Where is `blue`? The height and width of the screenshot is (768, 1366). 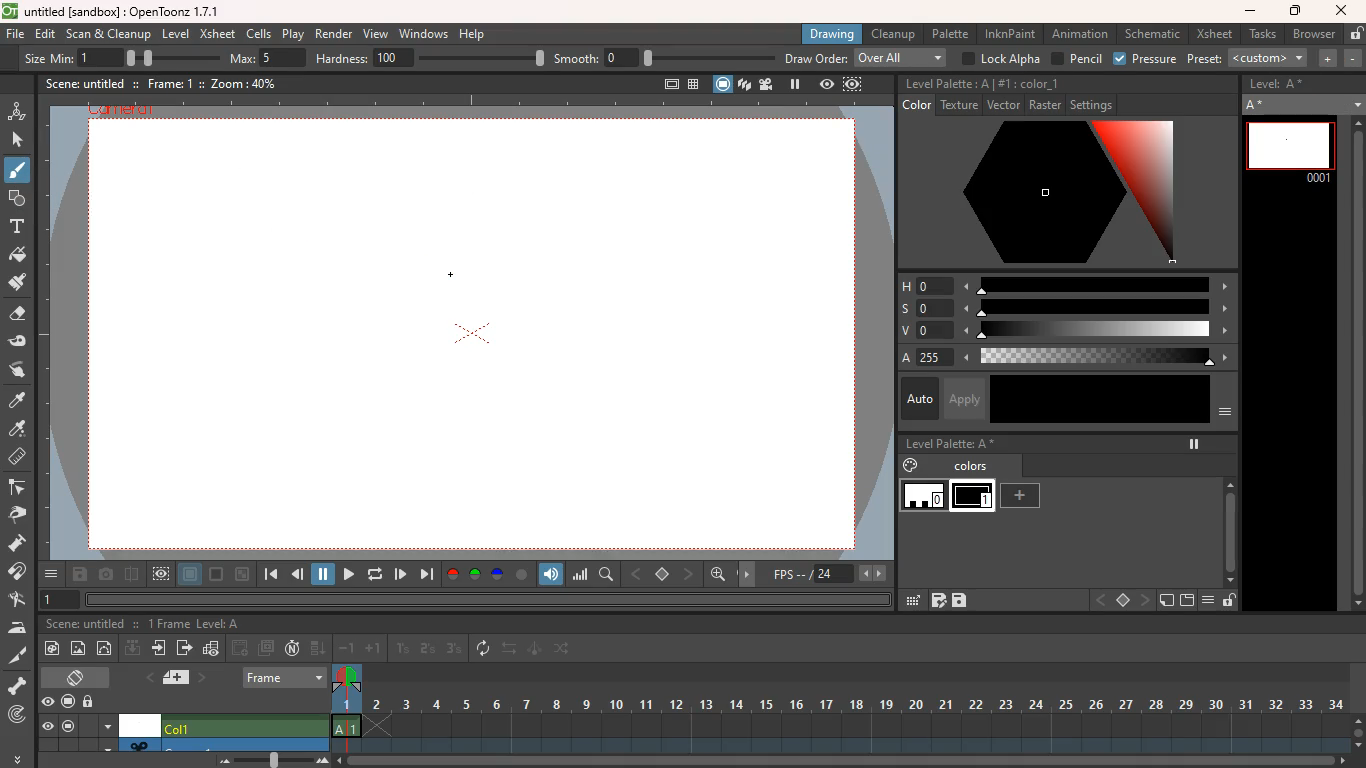 blue is located at coordinates (499, 575).